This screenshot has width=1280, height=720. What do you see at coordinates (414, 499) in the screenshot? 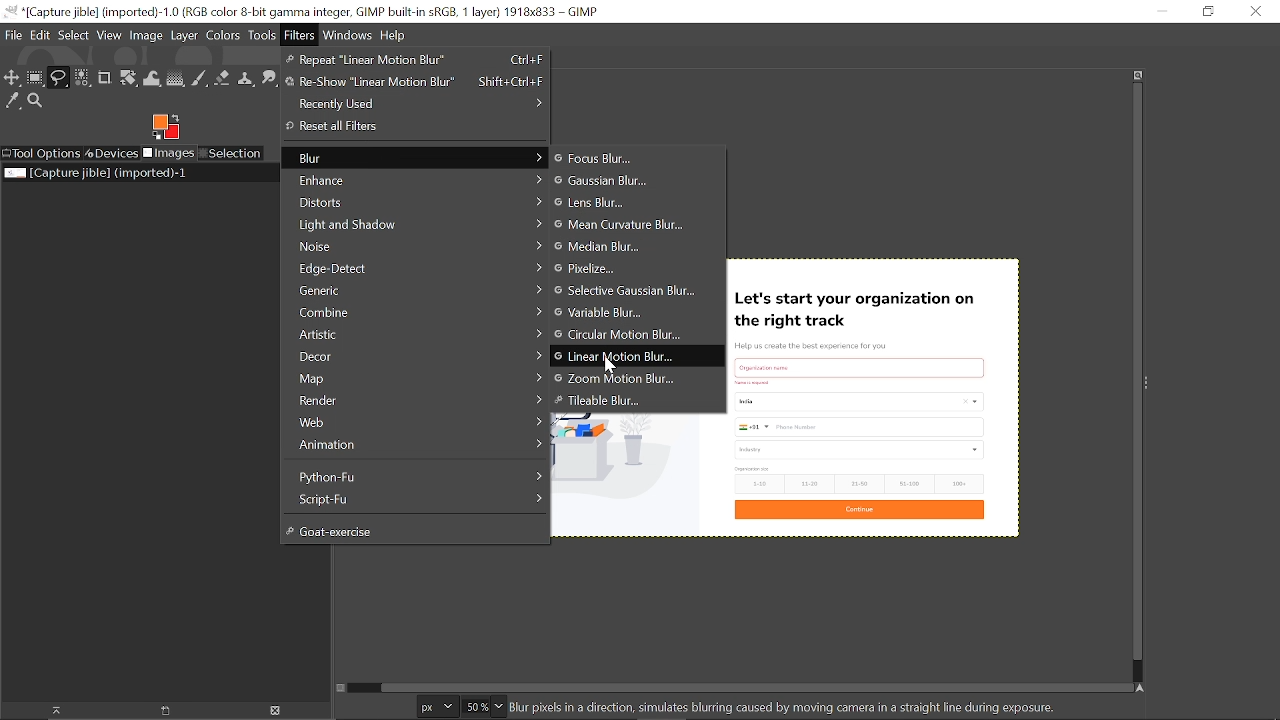
I see `Script-Fy` at bounding box center [414, 499].